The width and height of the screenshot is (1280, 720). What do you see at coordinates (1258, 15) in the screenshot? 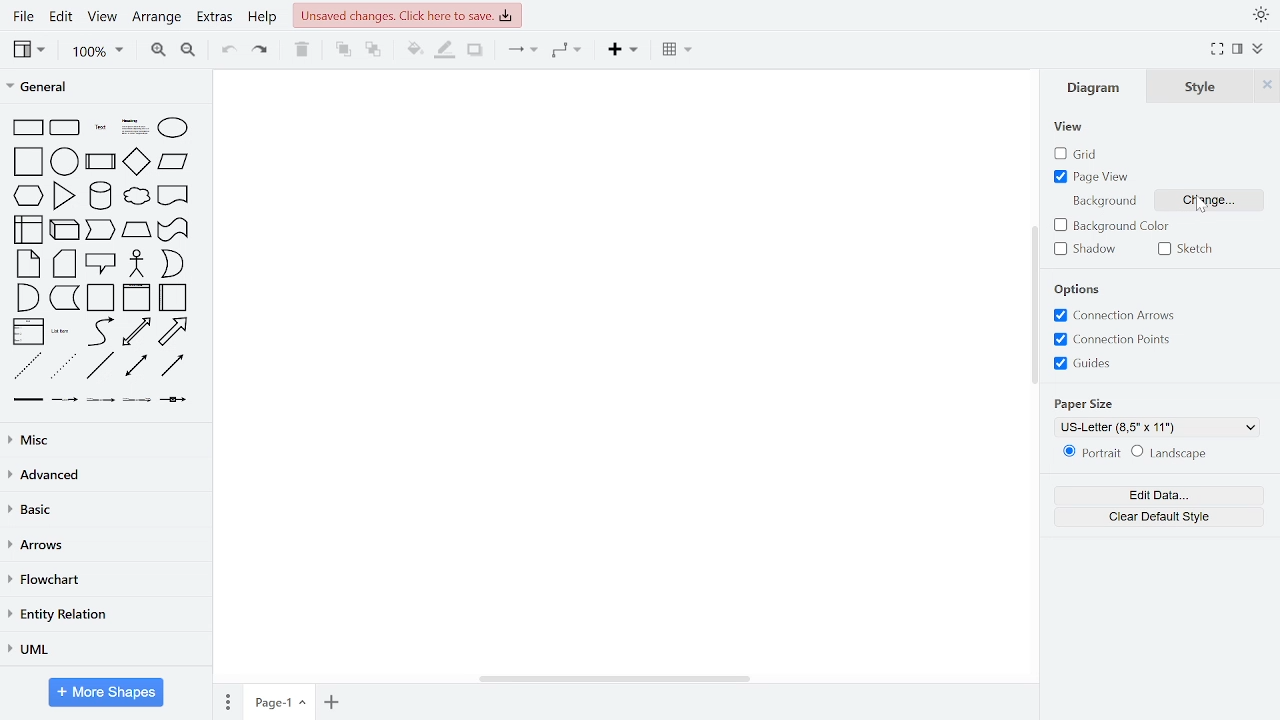
I see `appearance` at bounding box center [1258, 15].